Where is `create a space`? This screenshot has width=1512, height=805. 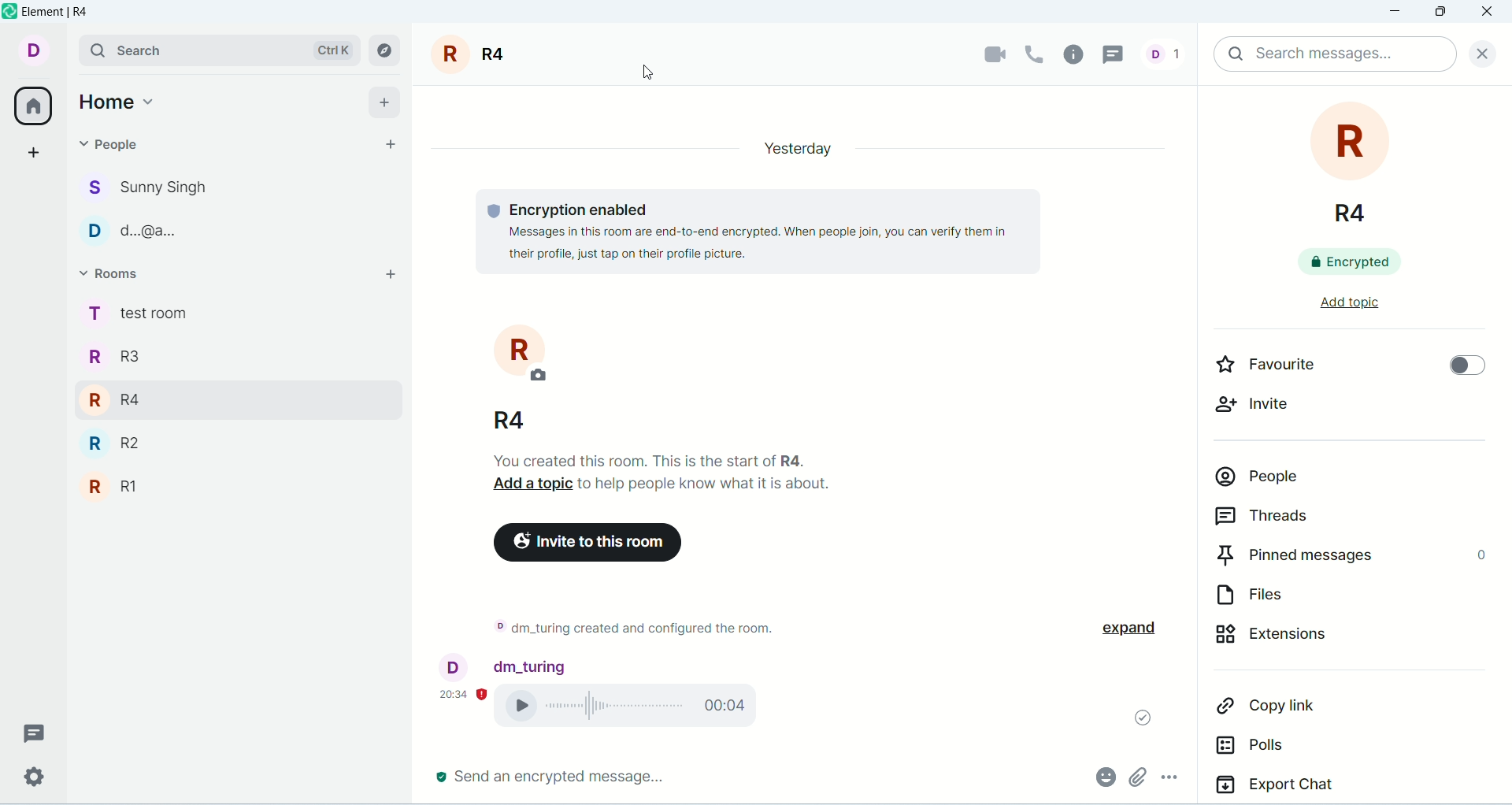
create a space is located at coordinates (37, 152).